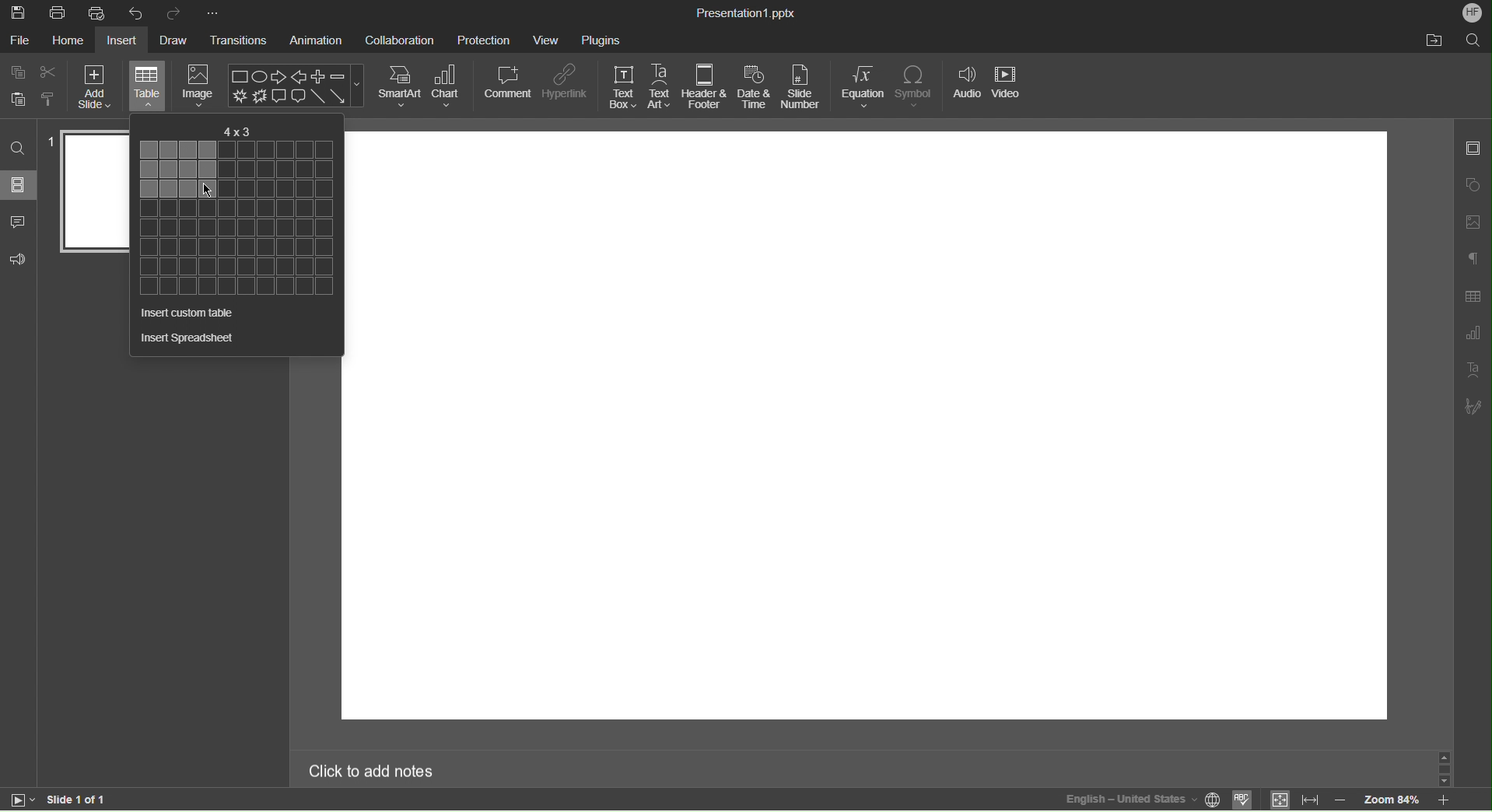  I want to click on Insert, so click(124, 42).